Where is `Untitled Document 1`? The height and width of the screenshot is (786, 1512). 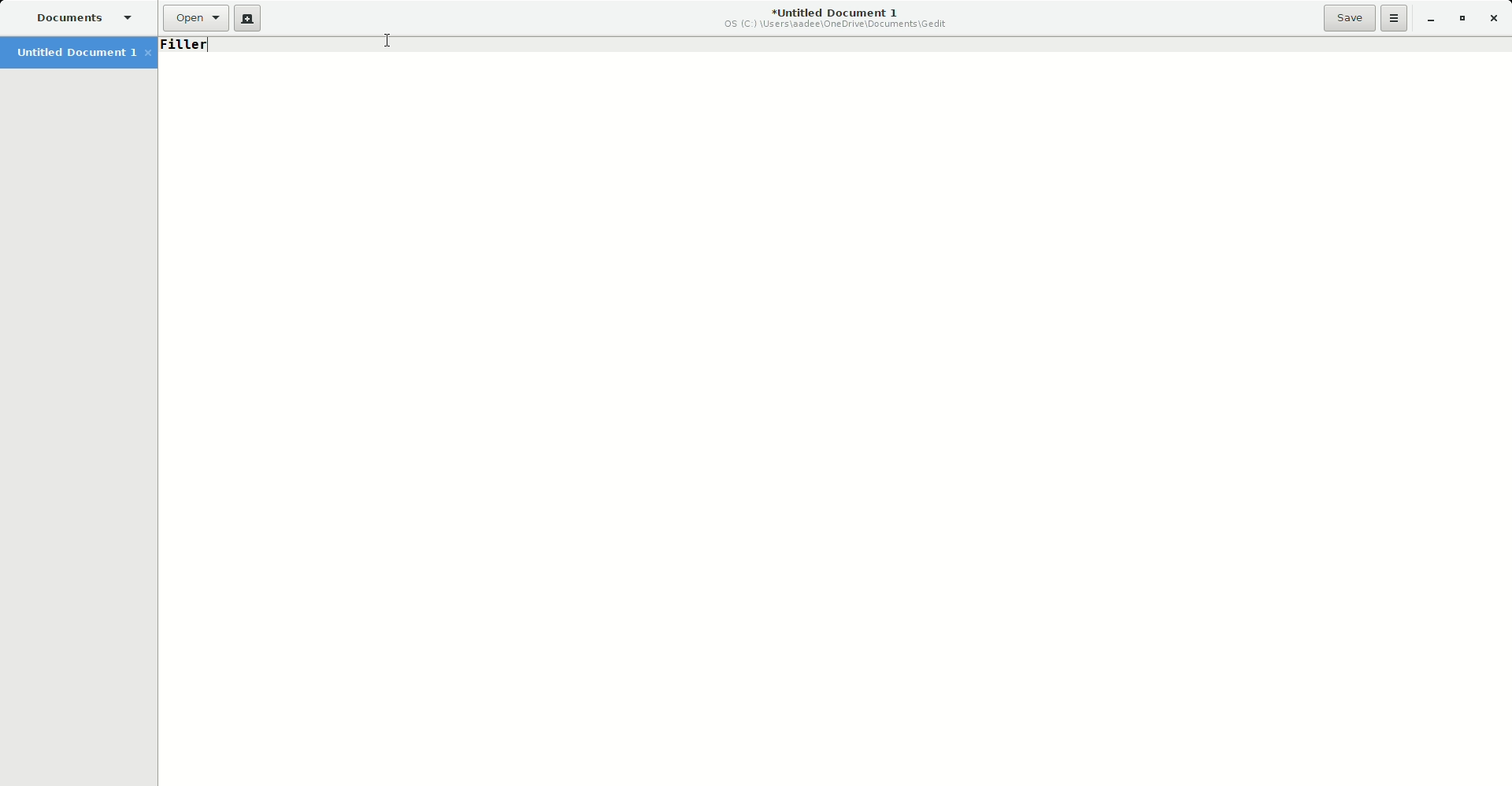 Untitled Document 1 is located at coordinates (81, 54).